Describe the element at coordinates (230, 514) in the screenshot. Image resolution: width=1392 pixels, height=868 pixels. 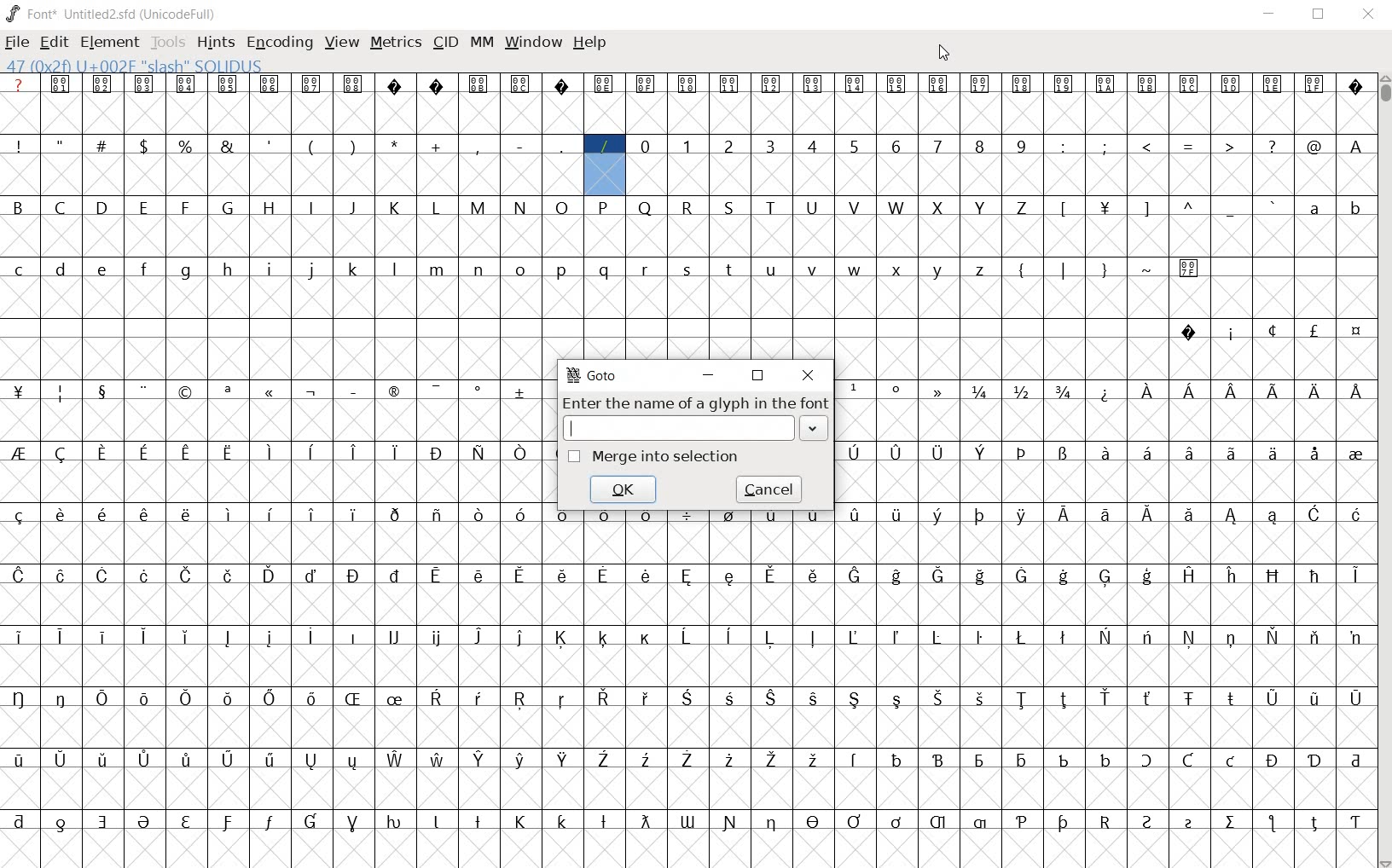
I see `glyph` at that location.